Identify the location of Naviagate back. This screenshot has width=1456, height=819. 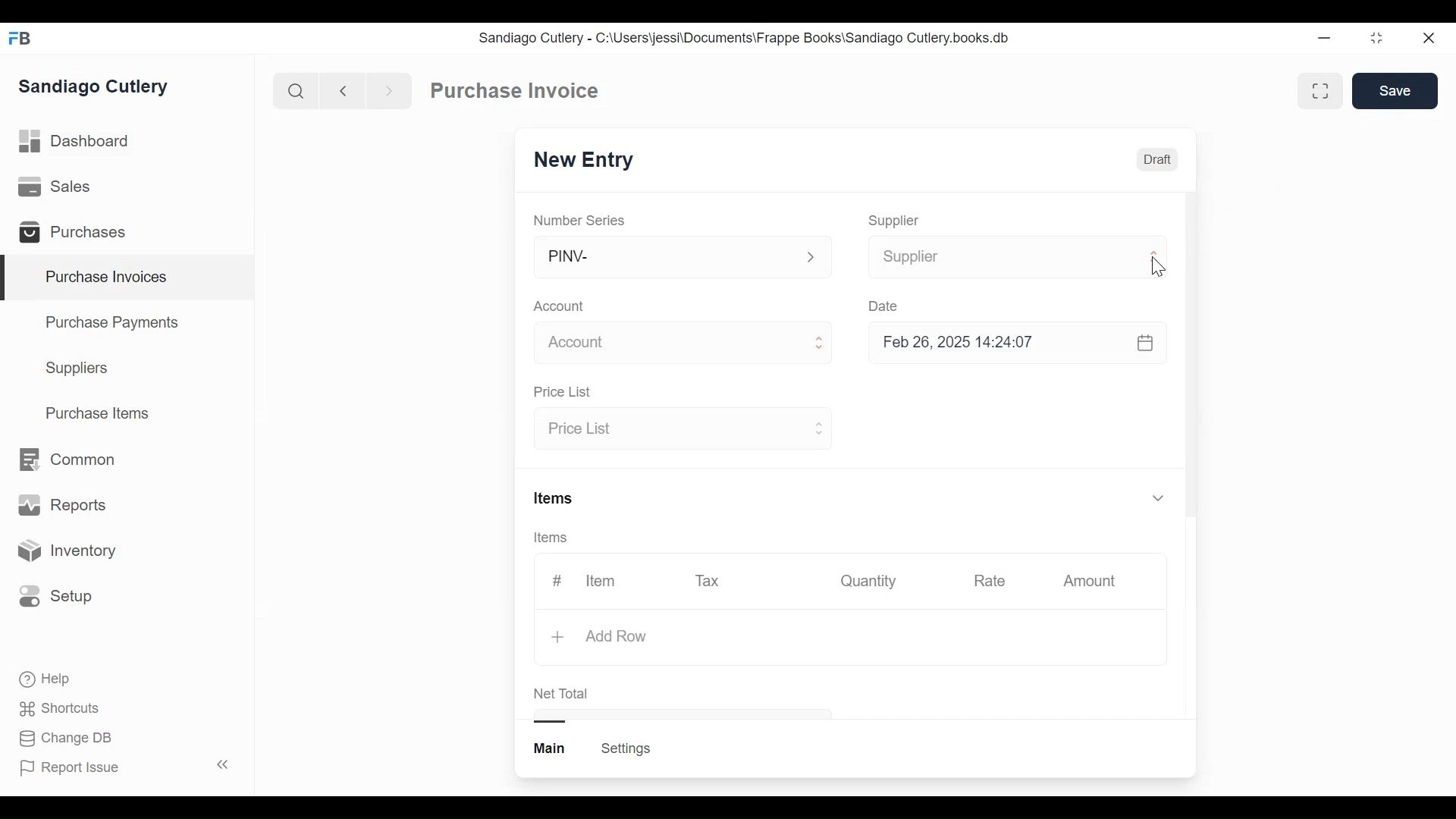
(344, 89).